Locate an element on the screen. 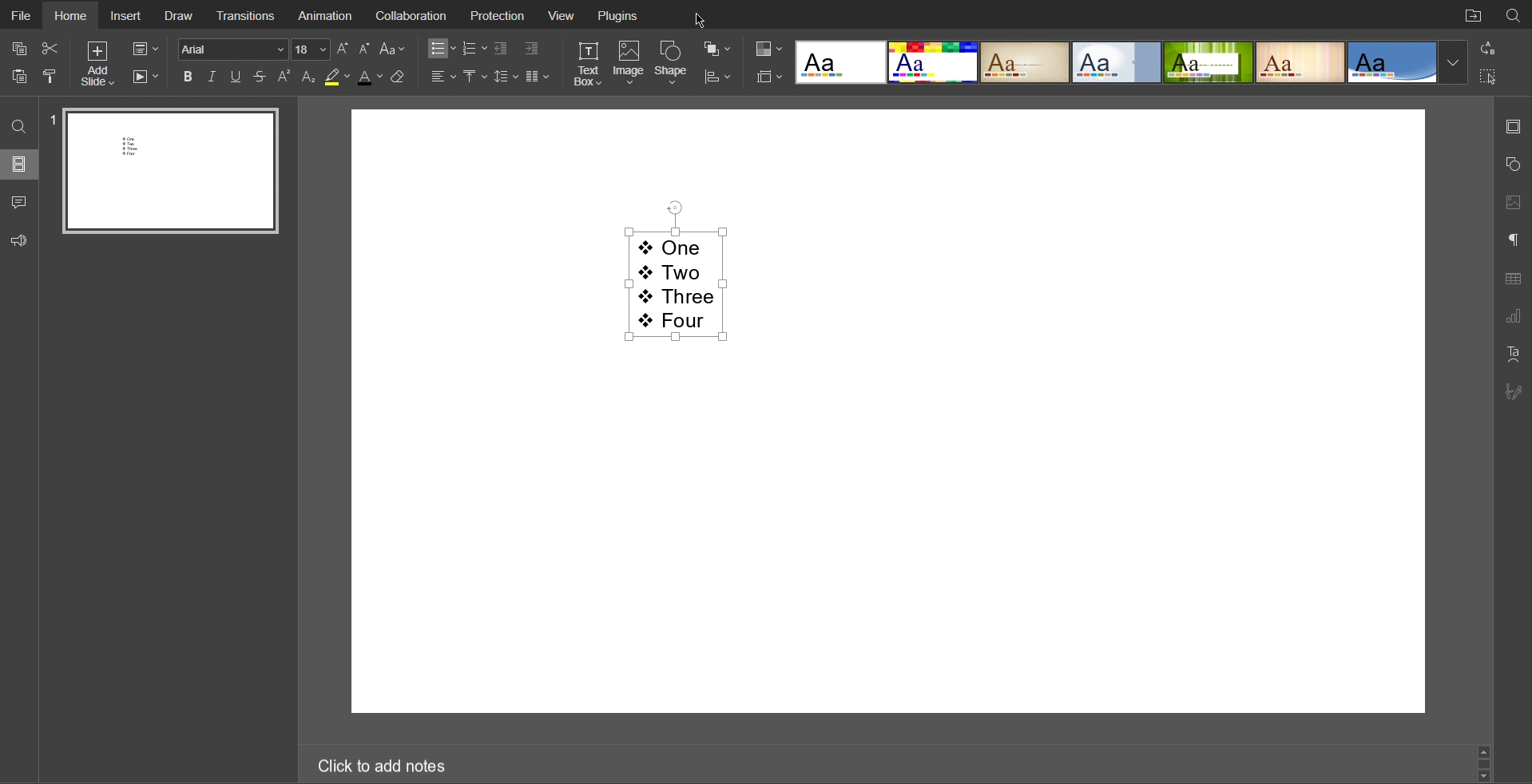  Feedback and Support is located at coordinates (20, 240).